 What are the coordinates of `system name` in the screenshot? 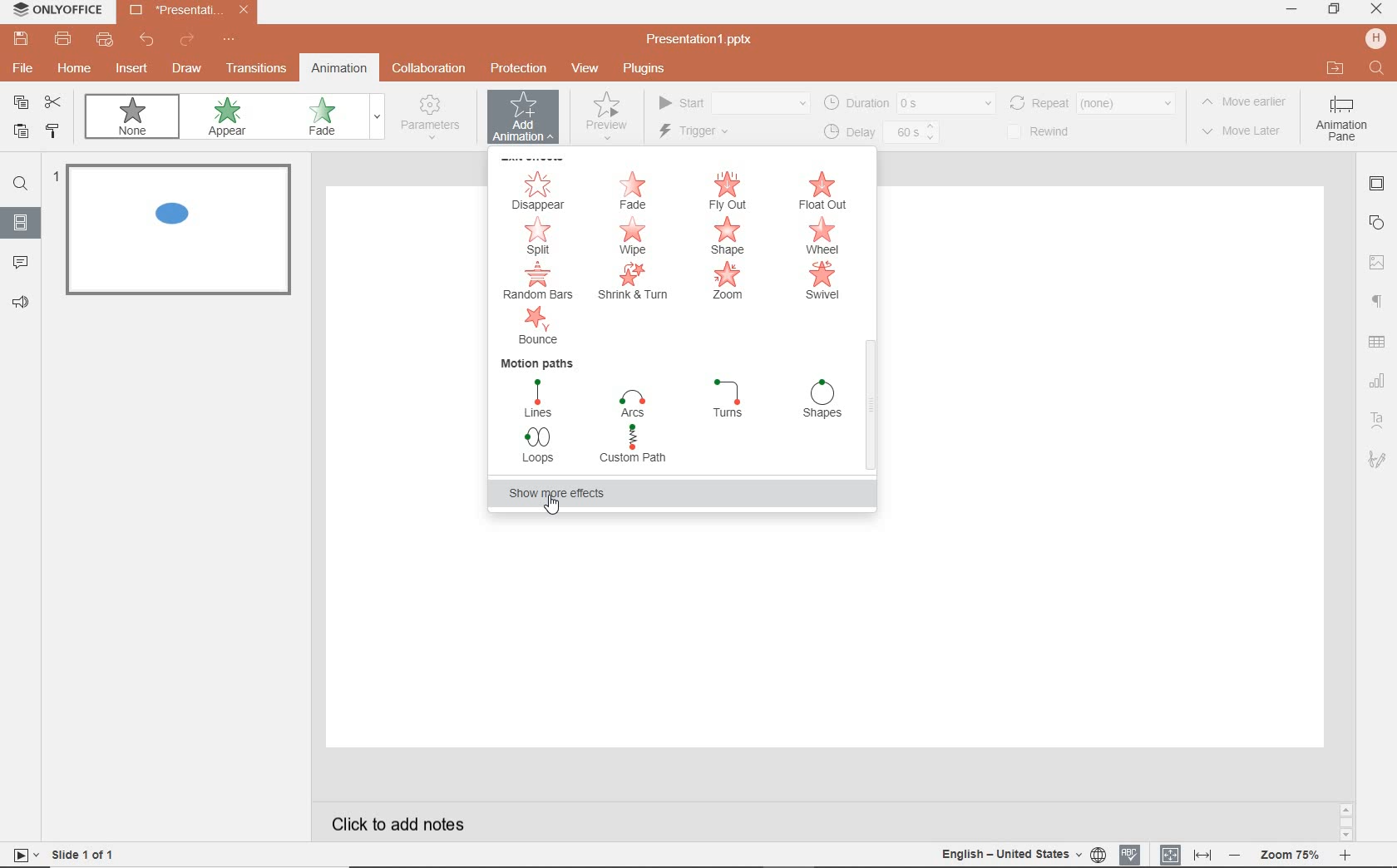 It's located at (57, 10).